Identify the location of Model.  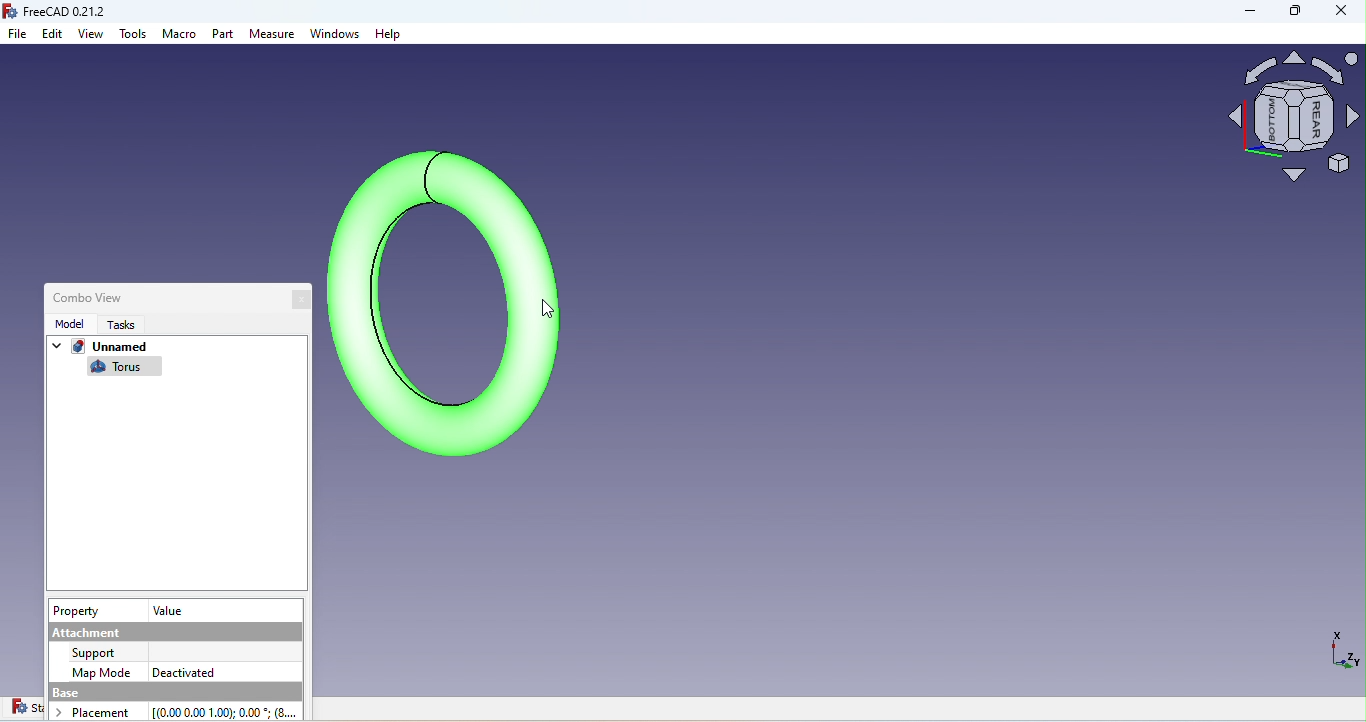
(66, 323).